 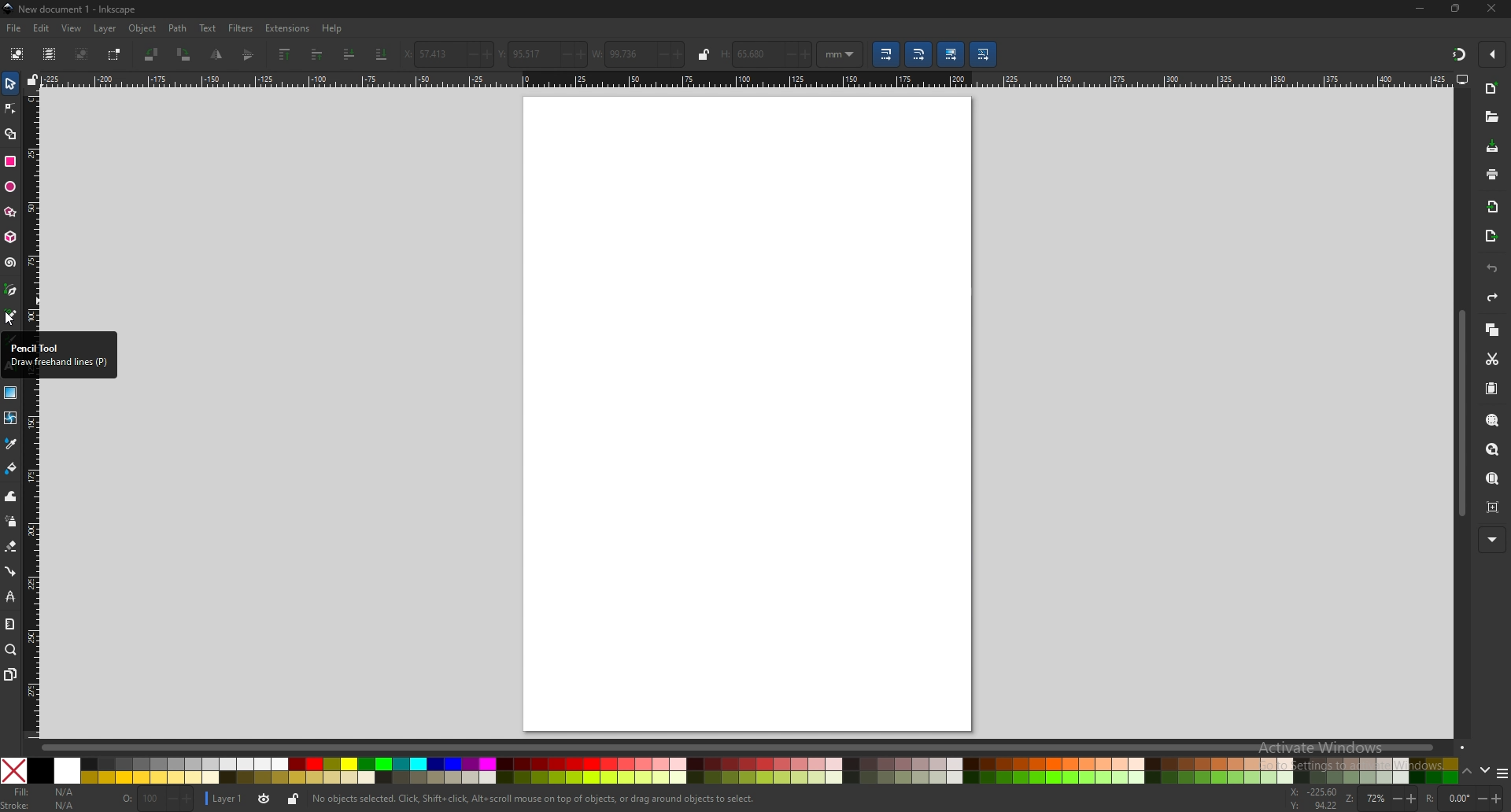 What do you see at coordinates (1454, 9) in the screenshot?
I see `resize` at bounding box center [1454, 9].